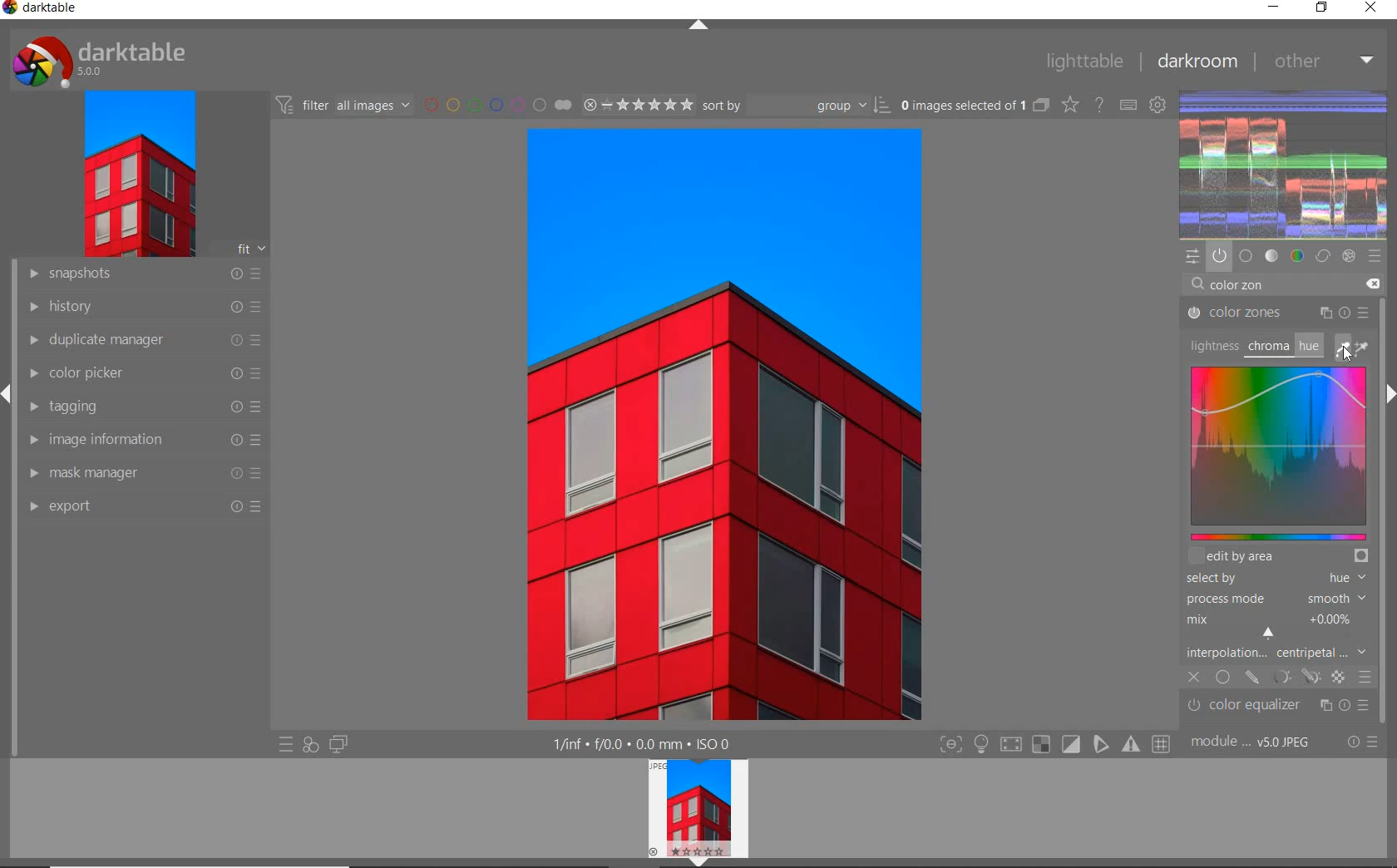 The width and height of the screenshot is (1397, 868). I want to click on display a second darkroom image widow, so click(338, 742).